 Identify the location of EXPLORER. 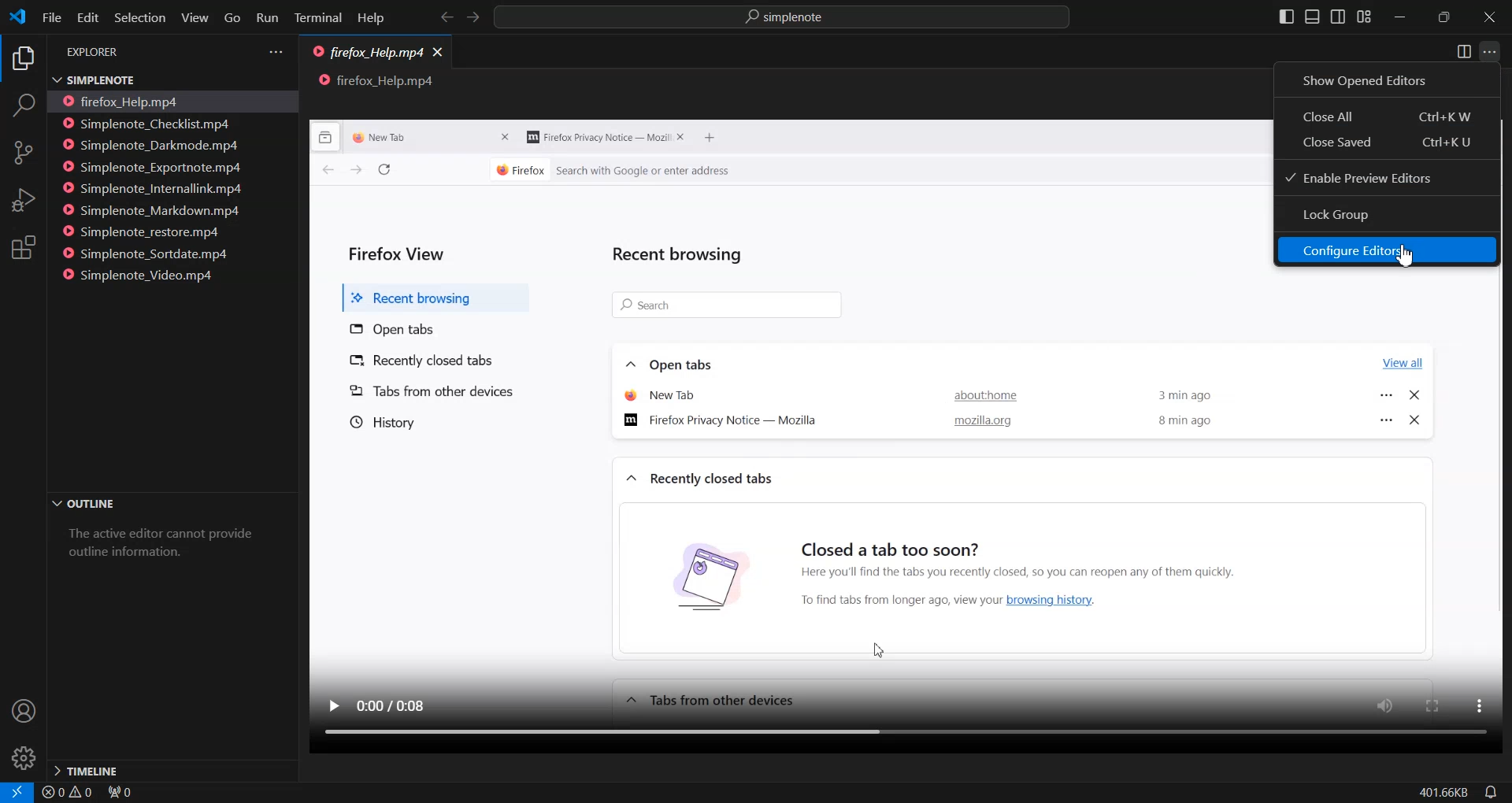
(96, 53).